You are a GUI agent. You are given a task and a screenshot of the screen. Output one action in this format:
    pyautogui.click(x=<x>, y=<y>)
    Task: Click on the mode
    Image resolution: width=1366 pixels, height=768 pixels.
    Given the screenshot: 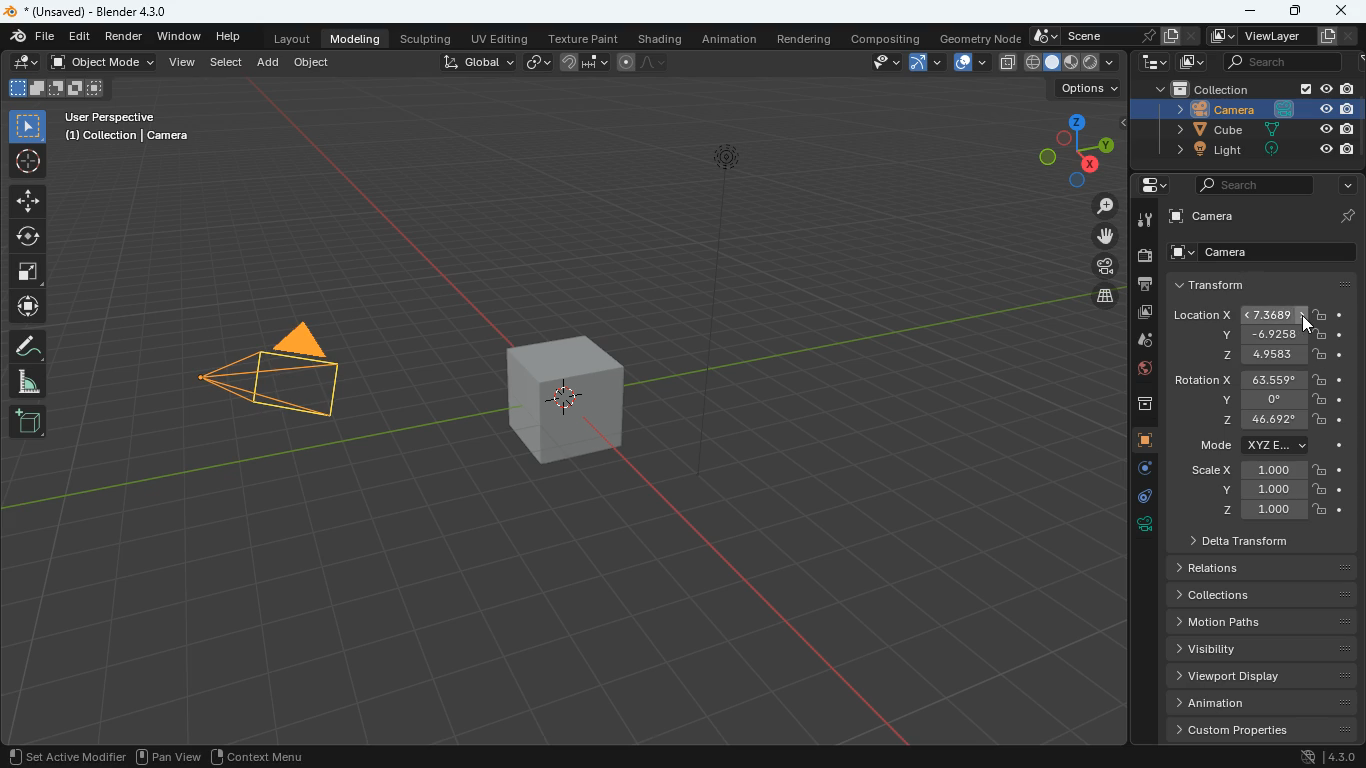 What is the action you would take?
    pyautogui.click(x=1271, y=447)
    